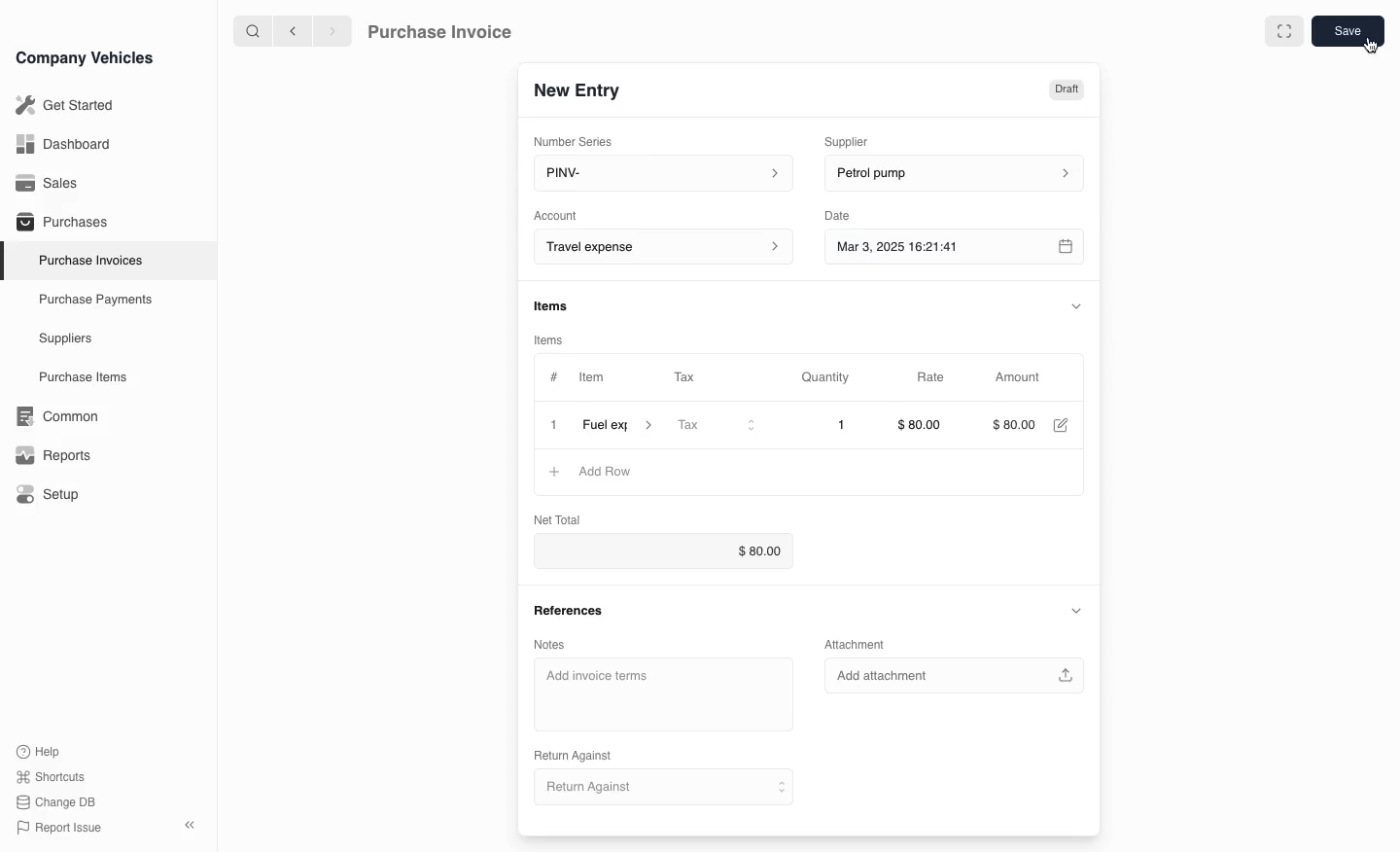  Describe the element at coordinates (657, 175) in the screenshot. I see `PINV-` at that location.